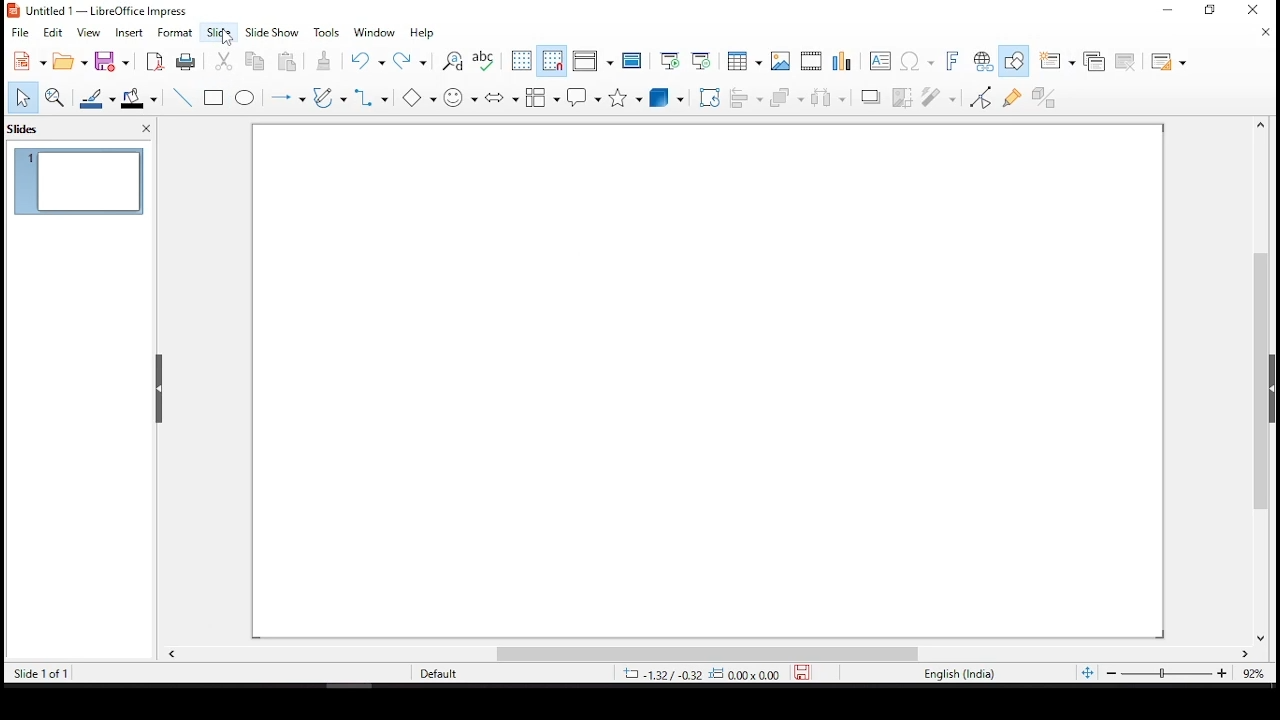  Describe the element at coordinates (457, 97) in the screenshot. I see `symbol shapes` at that location.